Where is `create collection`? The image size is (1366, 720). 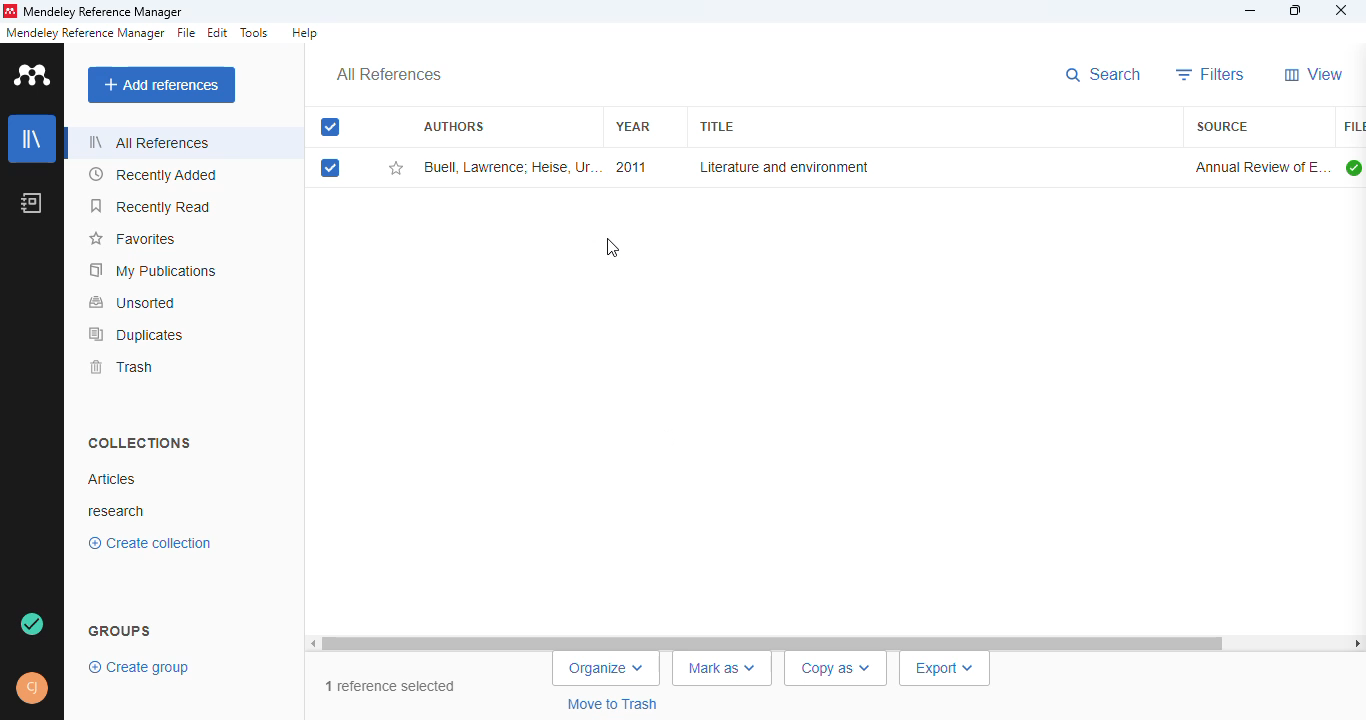 create collection is located at coordinates (152, 546).